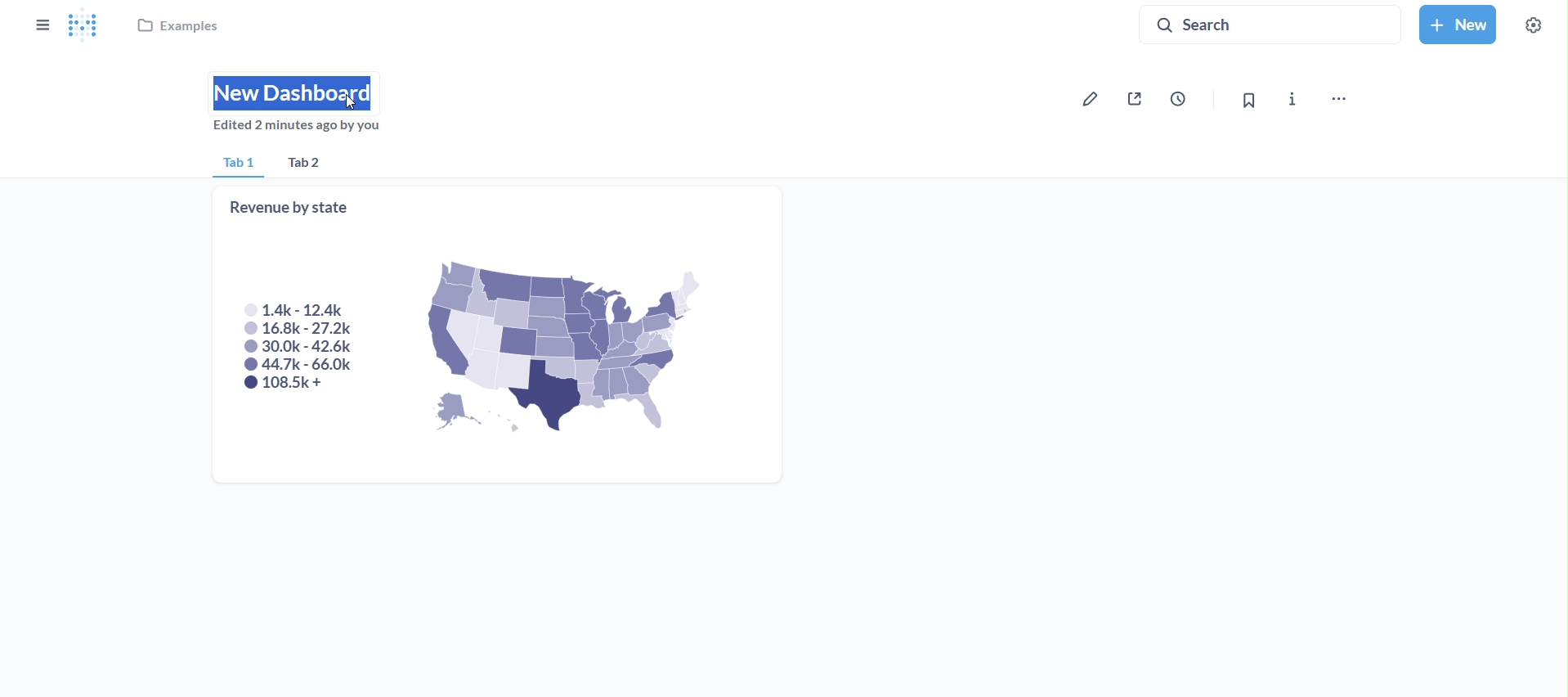 The width and height of the screenshot is (1568, 697). I want to click on typing, so click(298, 92).